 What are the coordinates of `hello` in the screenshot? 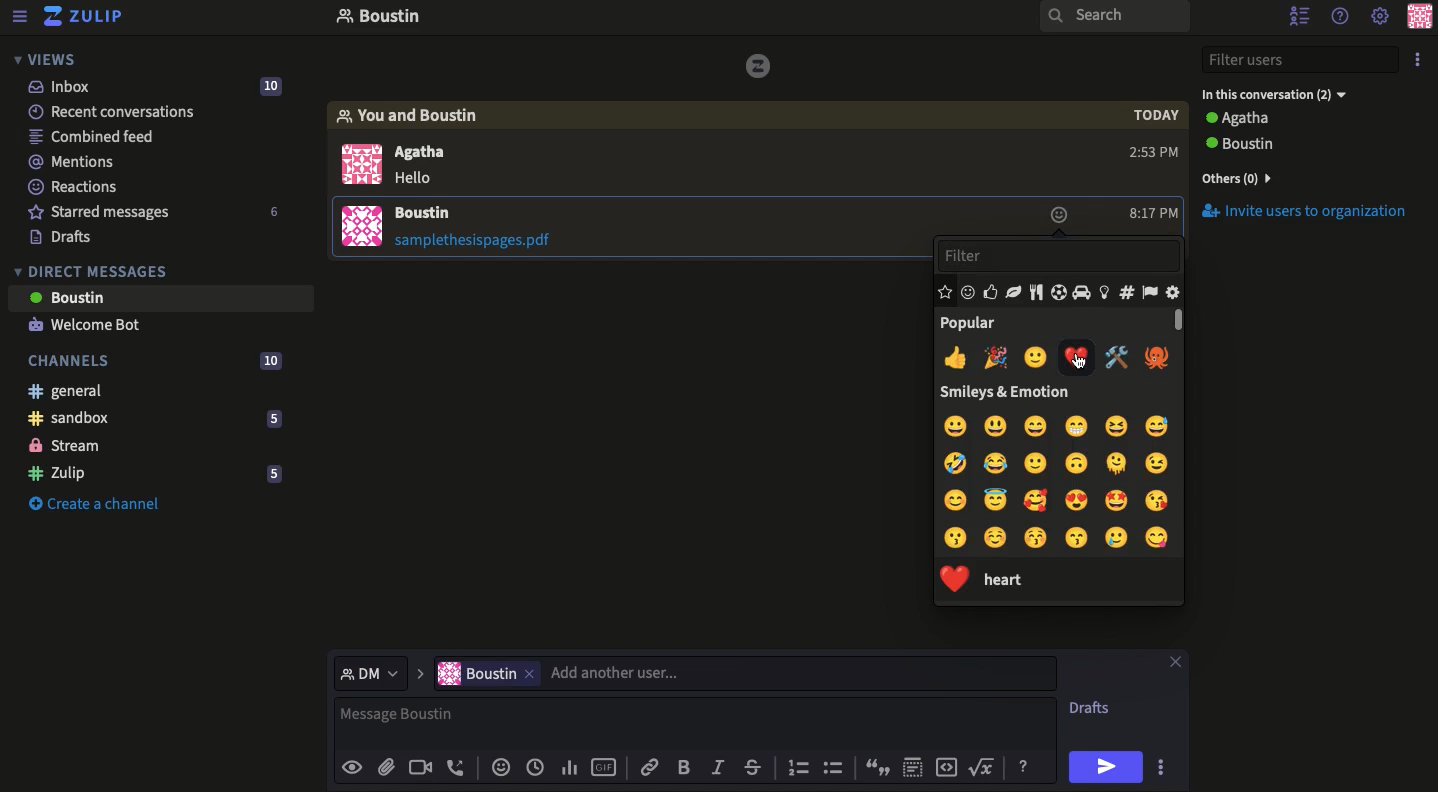 It's located at (416, 178).